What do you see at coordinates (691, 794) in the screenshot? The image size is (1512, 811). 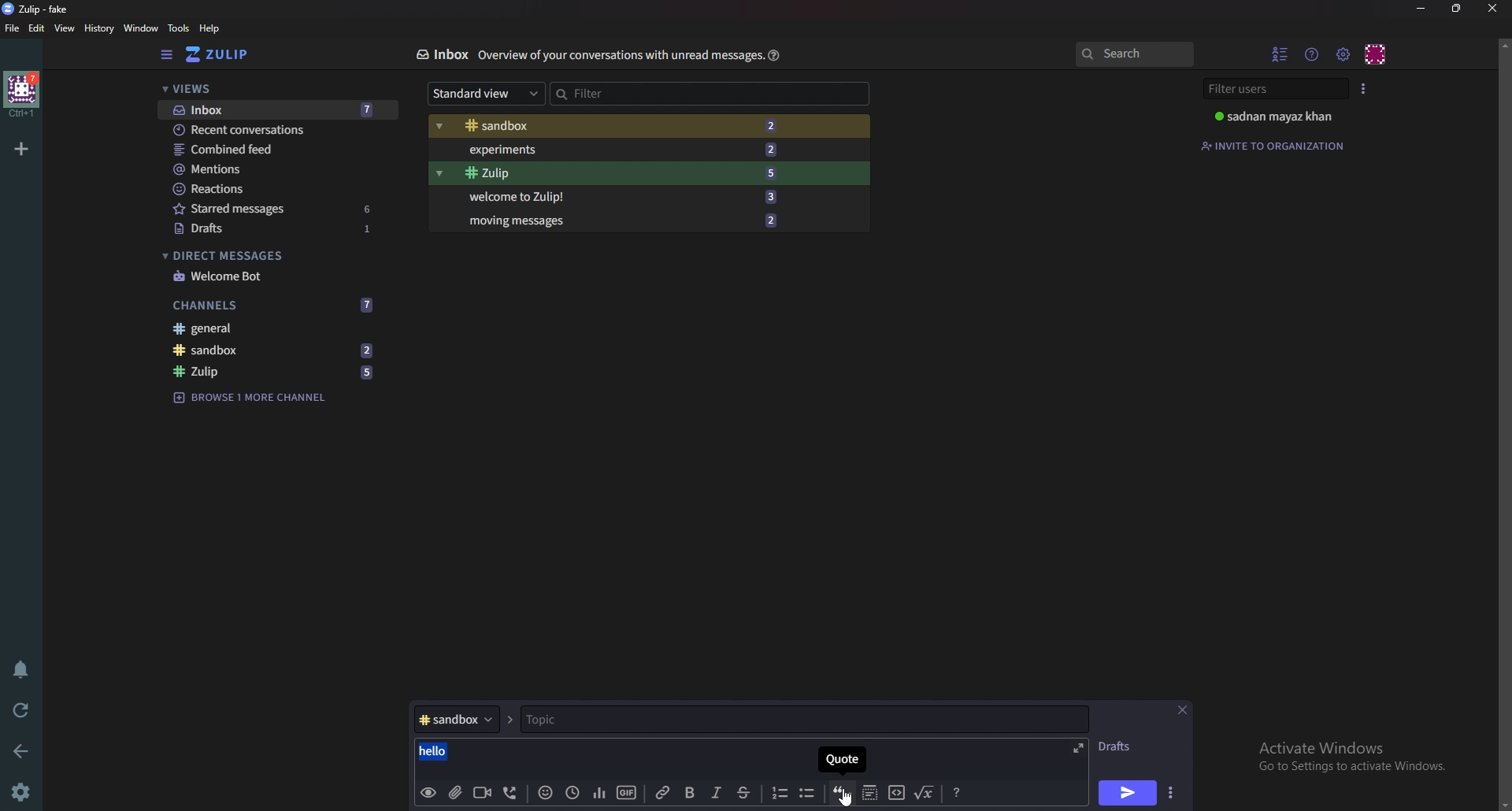 I see `bold` at bounding box center [691, 794].